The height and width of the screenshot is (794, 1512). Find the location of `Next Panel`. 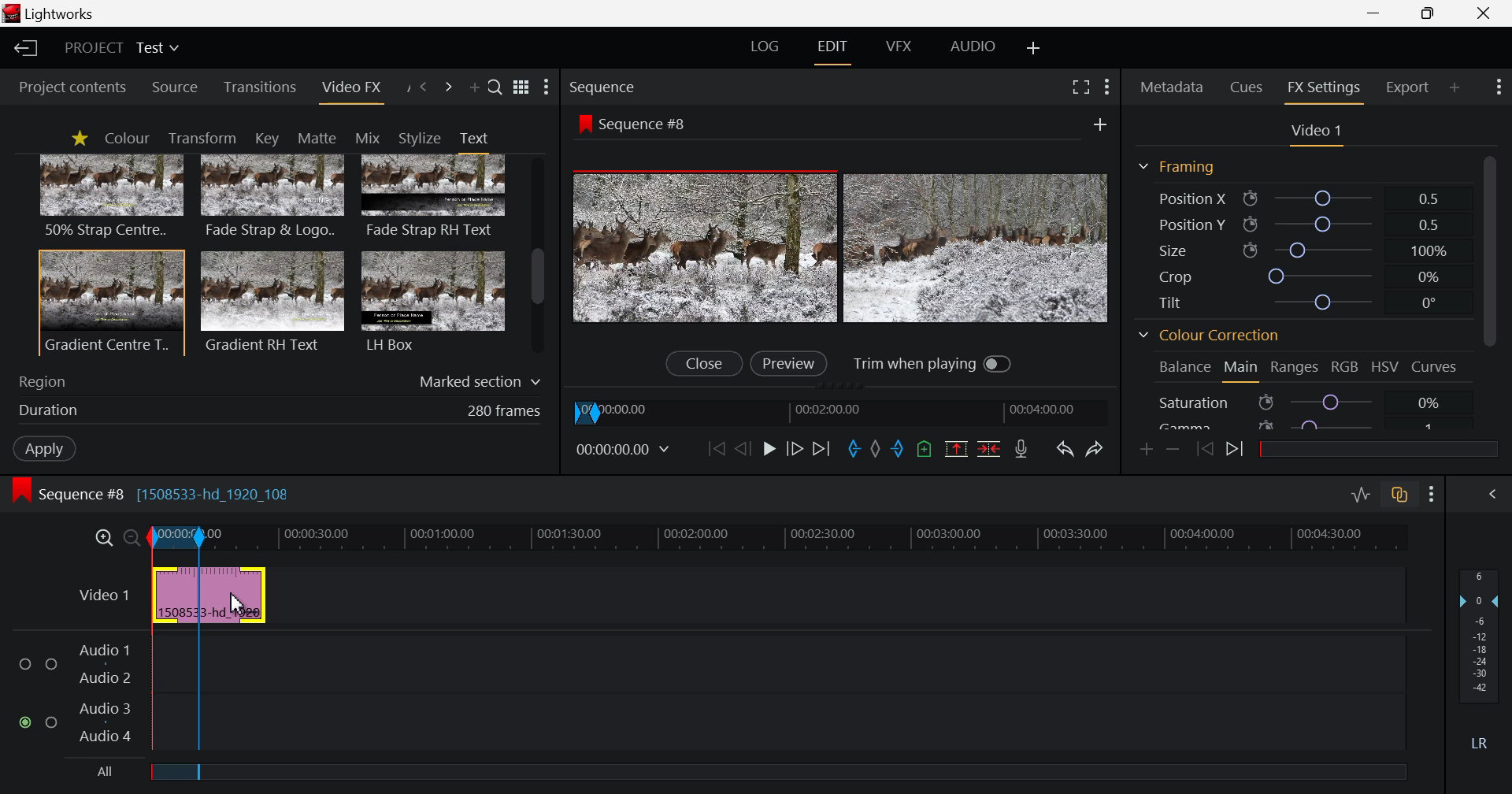

Next Panel is located at coordinates (448, 87).